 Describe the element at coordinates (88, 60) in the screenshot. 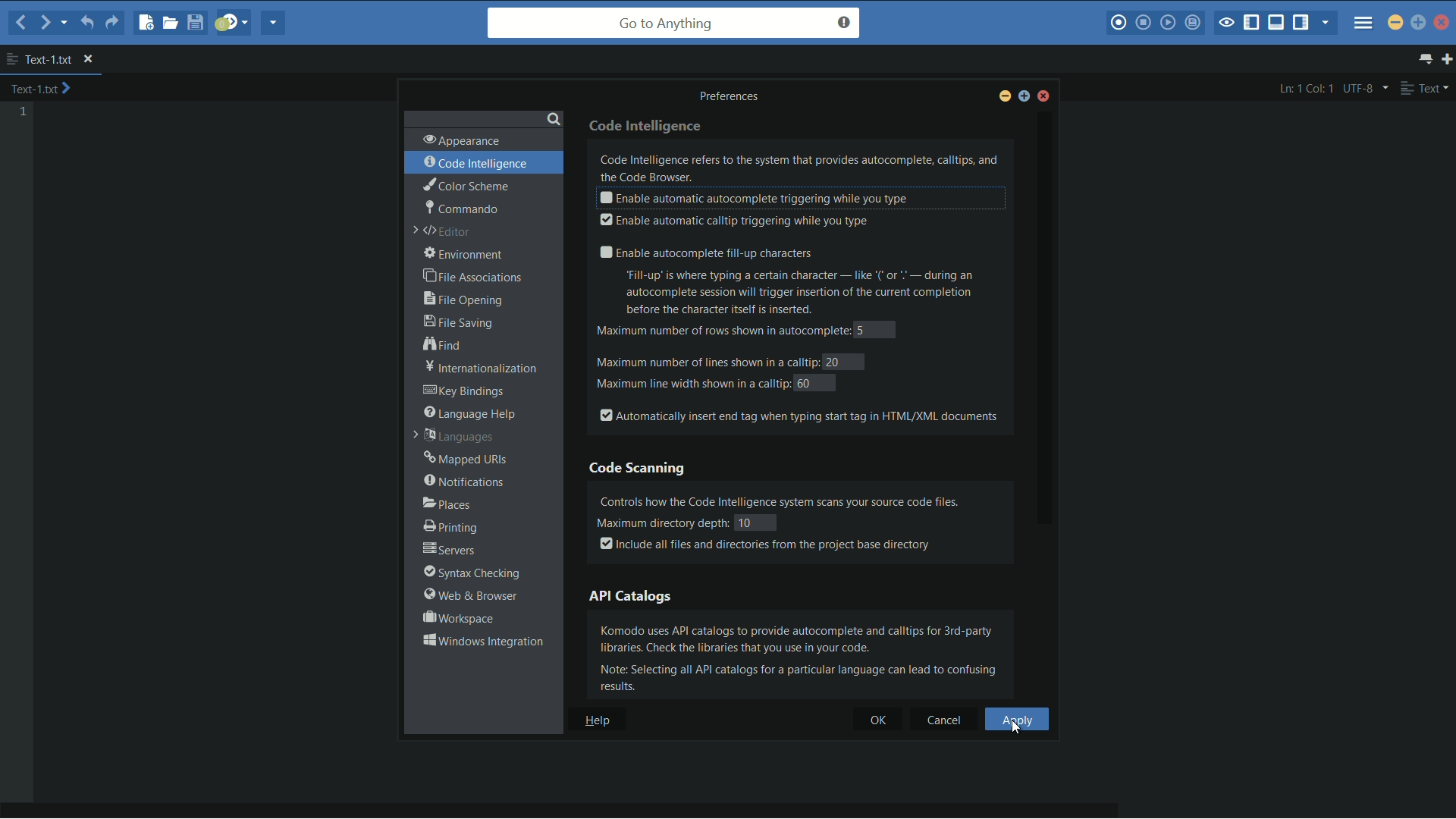

I see `close file` at that location.